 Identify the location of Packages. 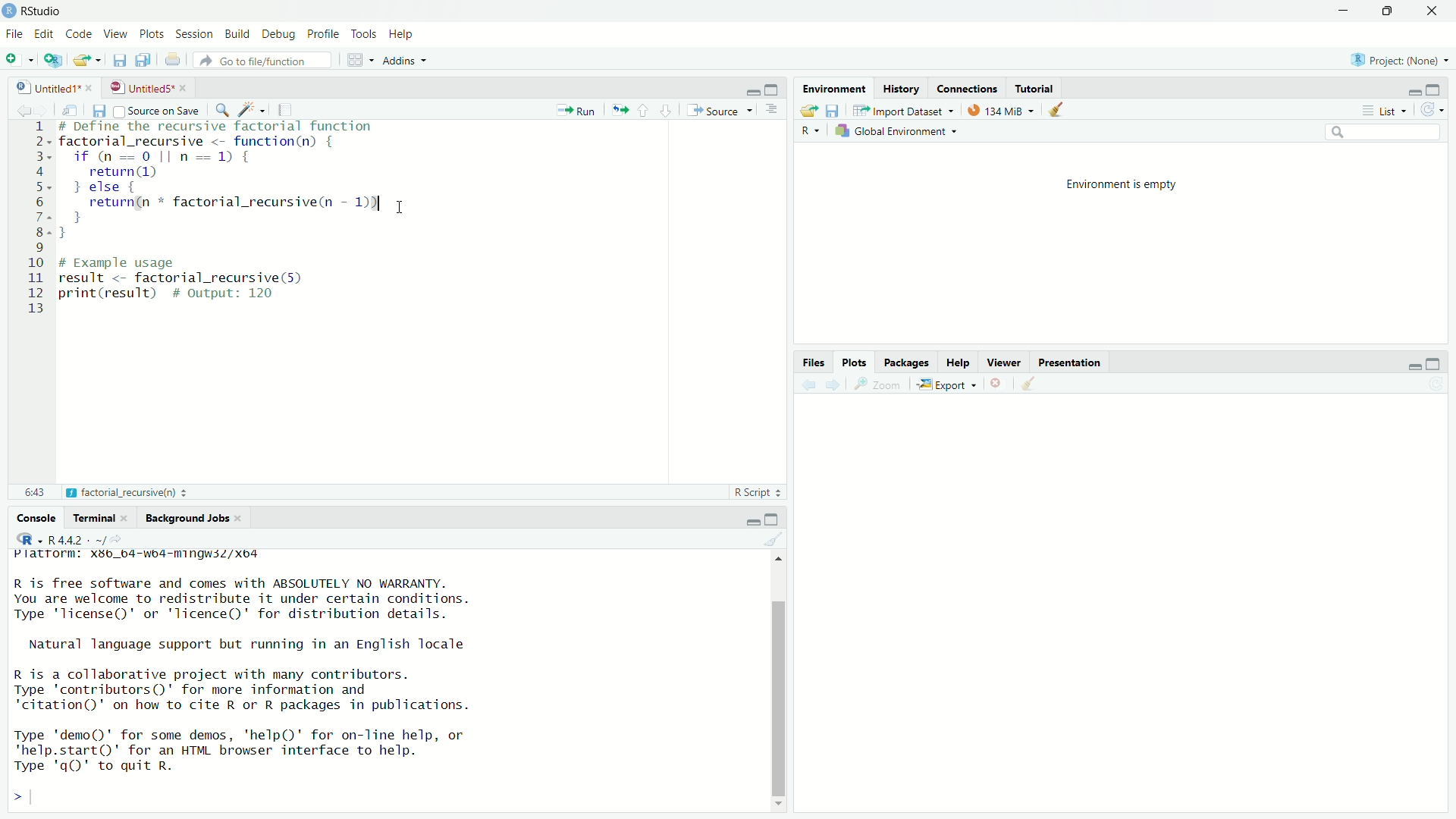
(909, 360).